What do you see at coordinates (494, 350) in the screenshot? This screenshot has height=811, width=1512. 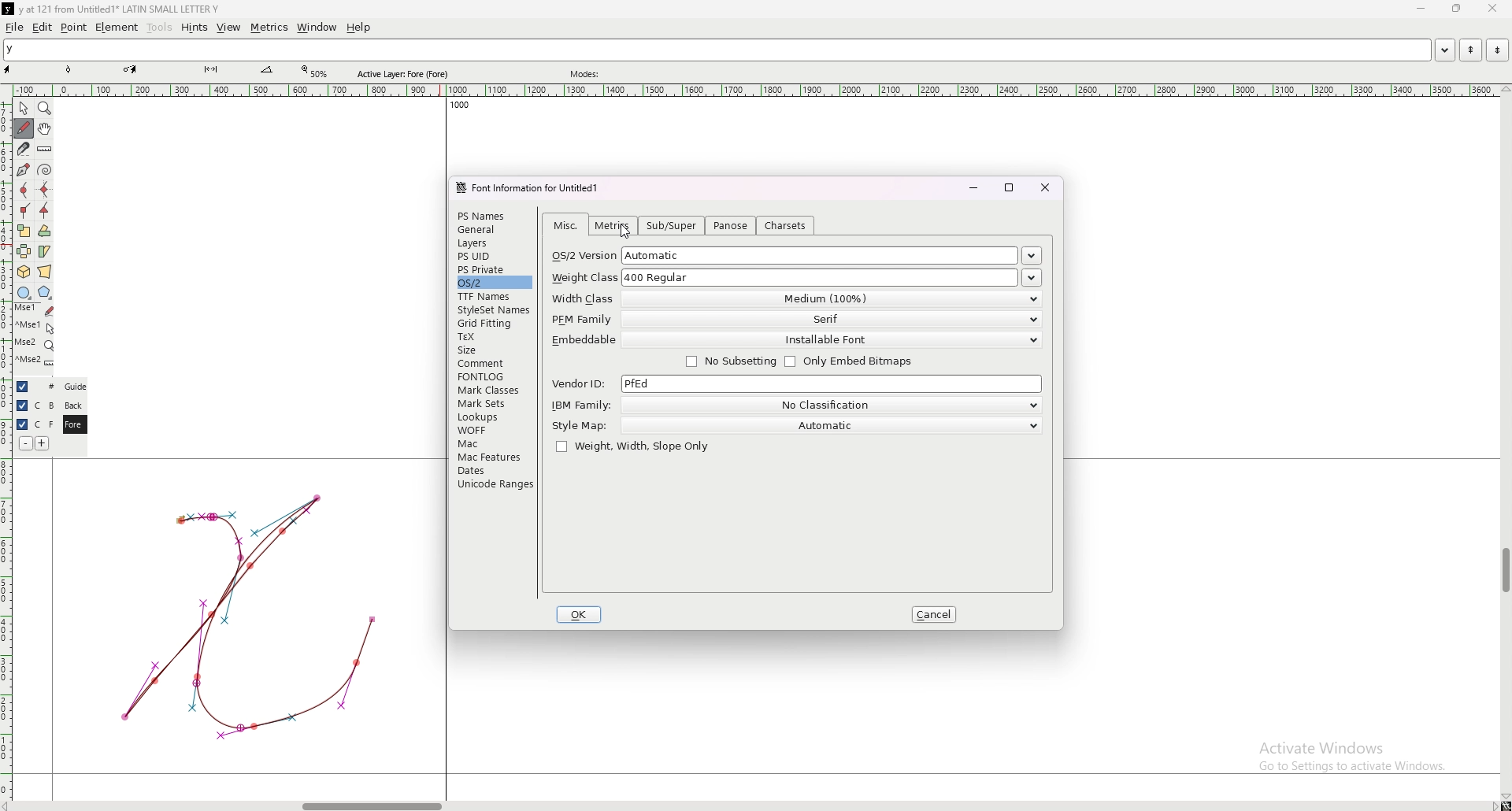 I see `size` at bounding box center [494, 350].